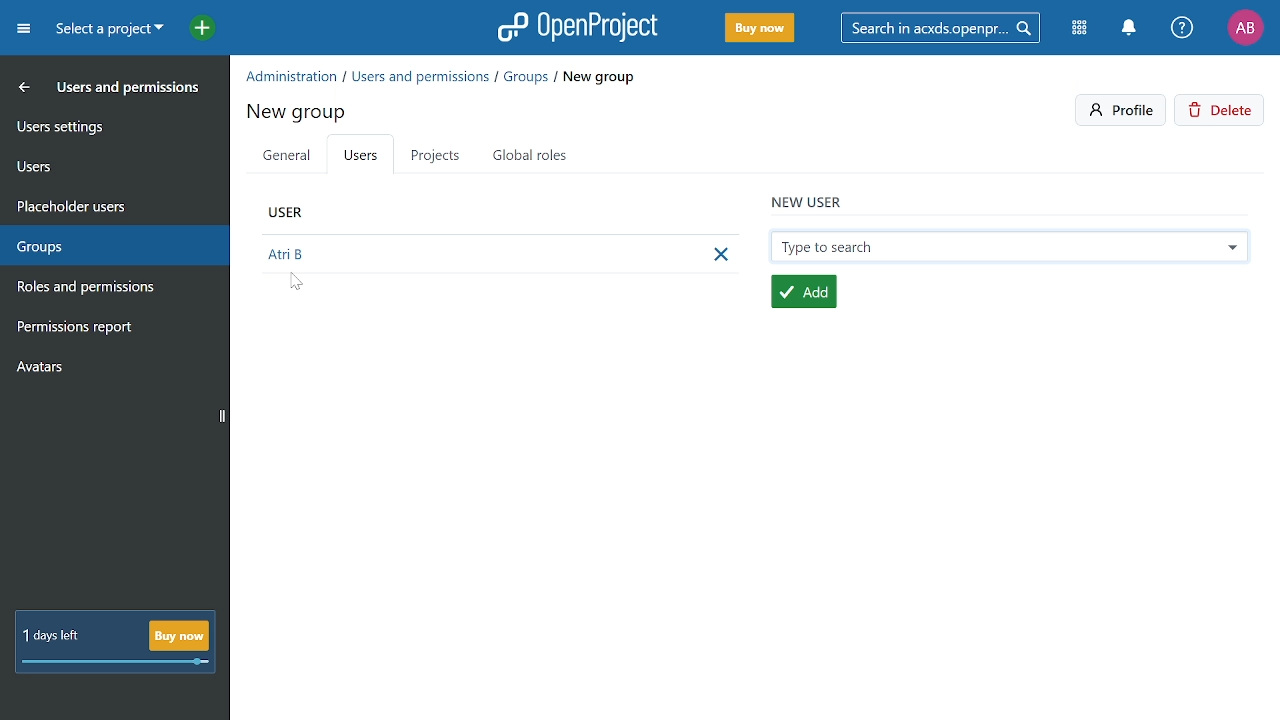 This screenshot has width=1280, height=720. I want to click on Current project, so click(107, 31).